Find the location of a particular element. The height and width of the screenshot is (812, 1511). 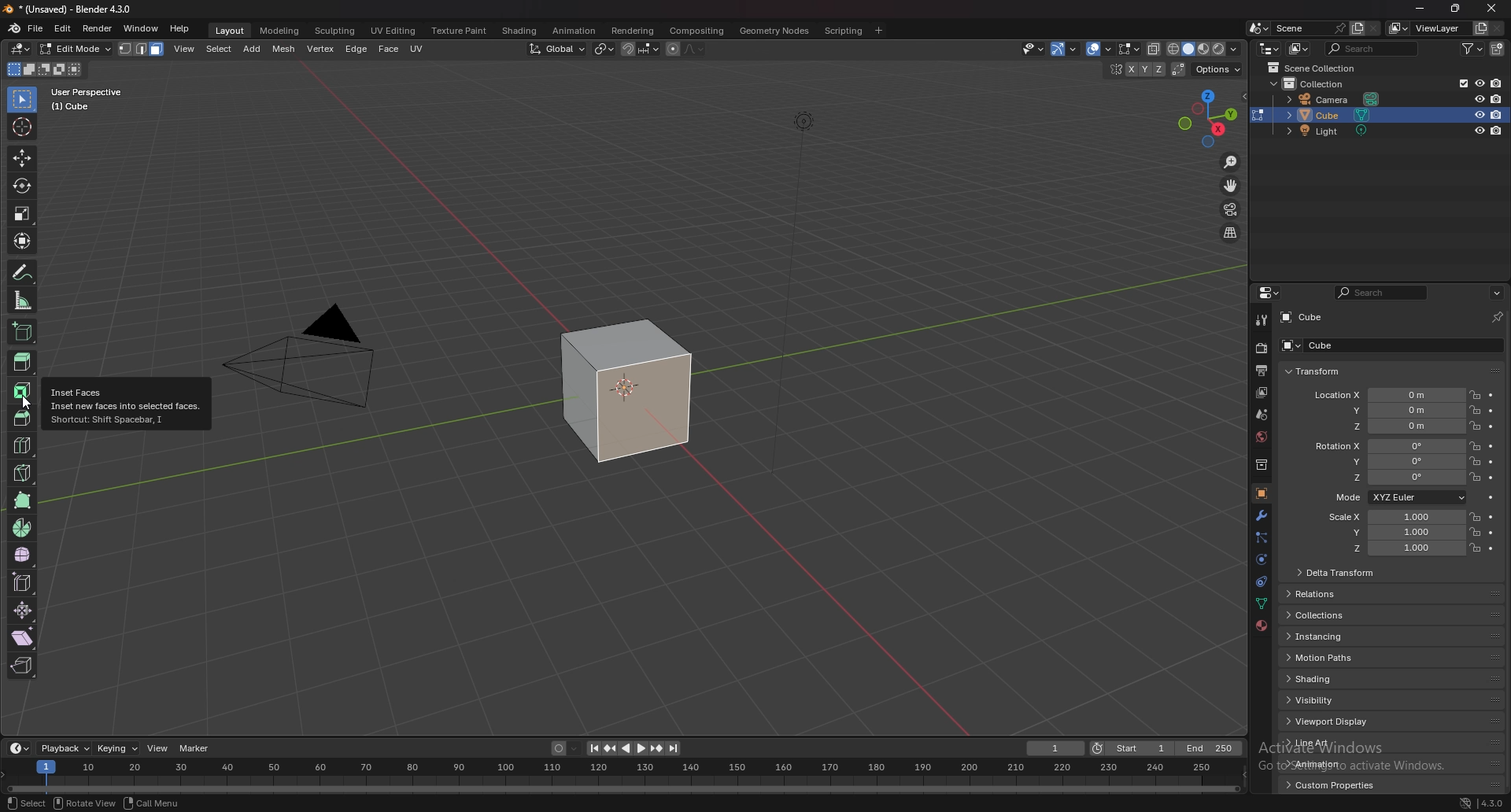

instancing is located at coordinates (1333, 637).